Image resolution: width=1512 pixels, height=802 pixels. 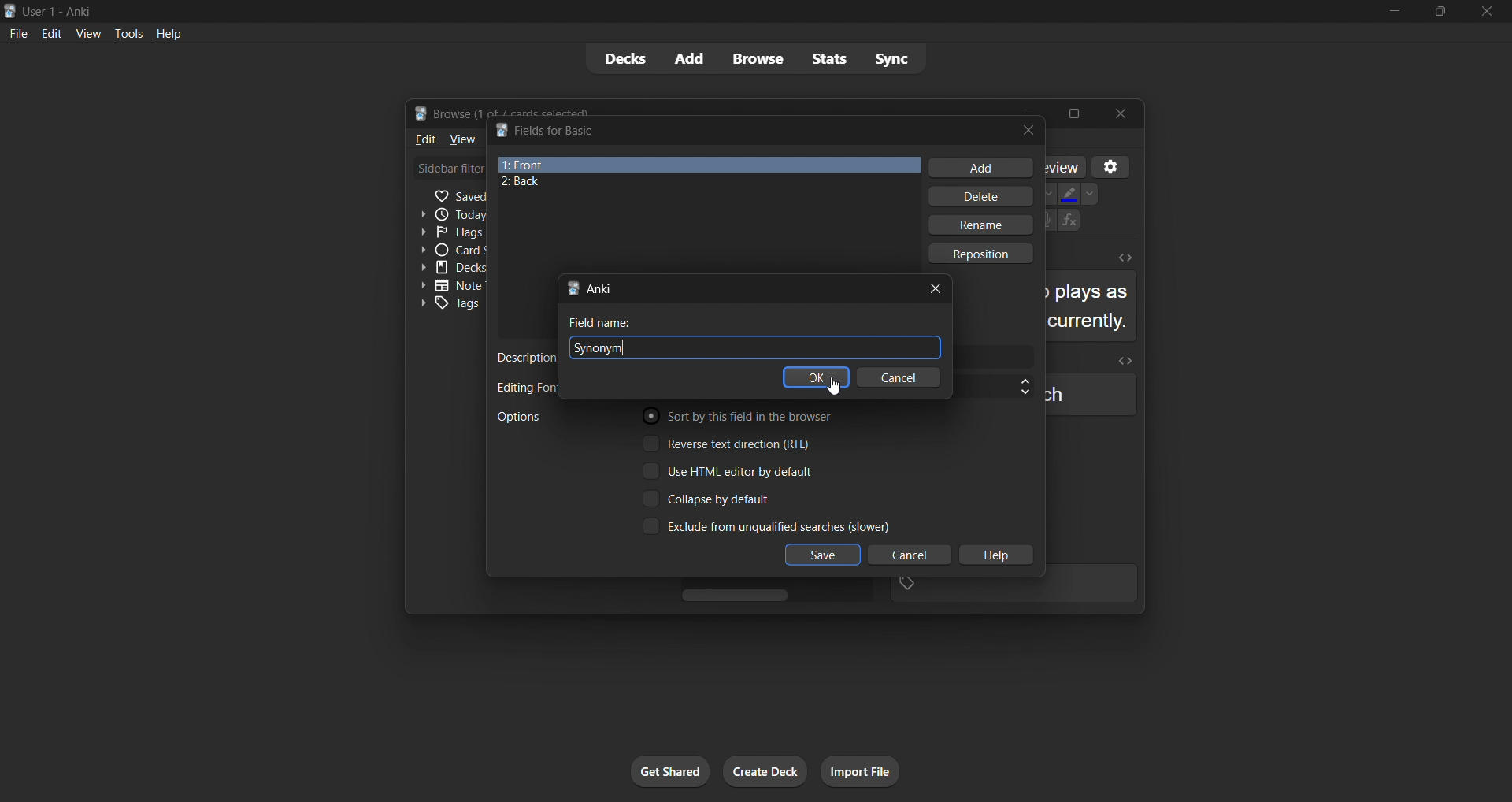 I want to click on file, so click(x=17, y=34).